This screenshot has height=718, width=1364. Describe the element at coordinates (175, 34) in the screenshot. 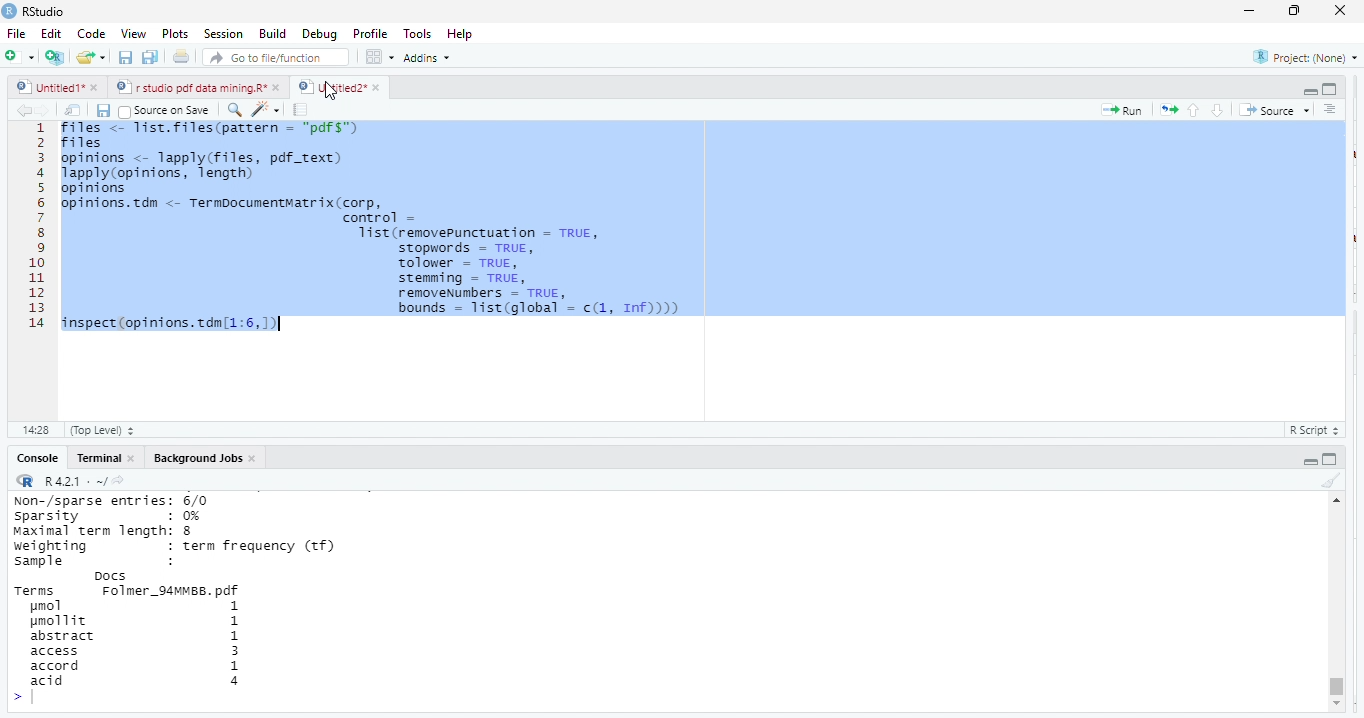

I see `plots` at that location.